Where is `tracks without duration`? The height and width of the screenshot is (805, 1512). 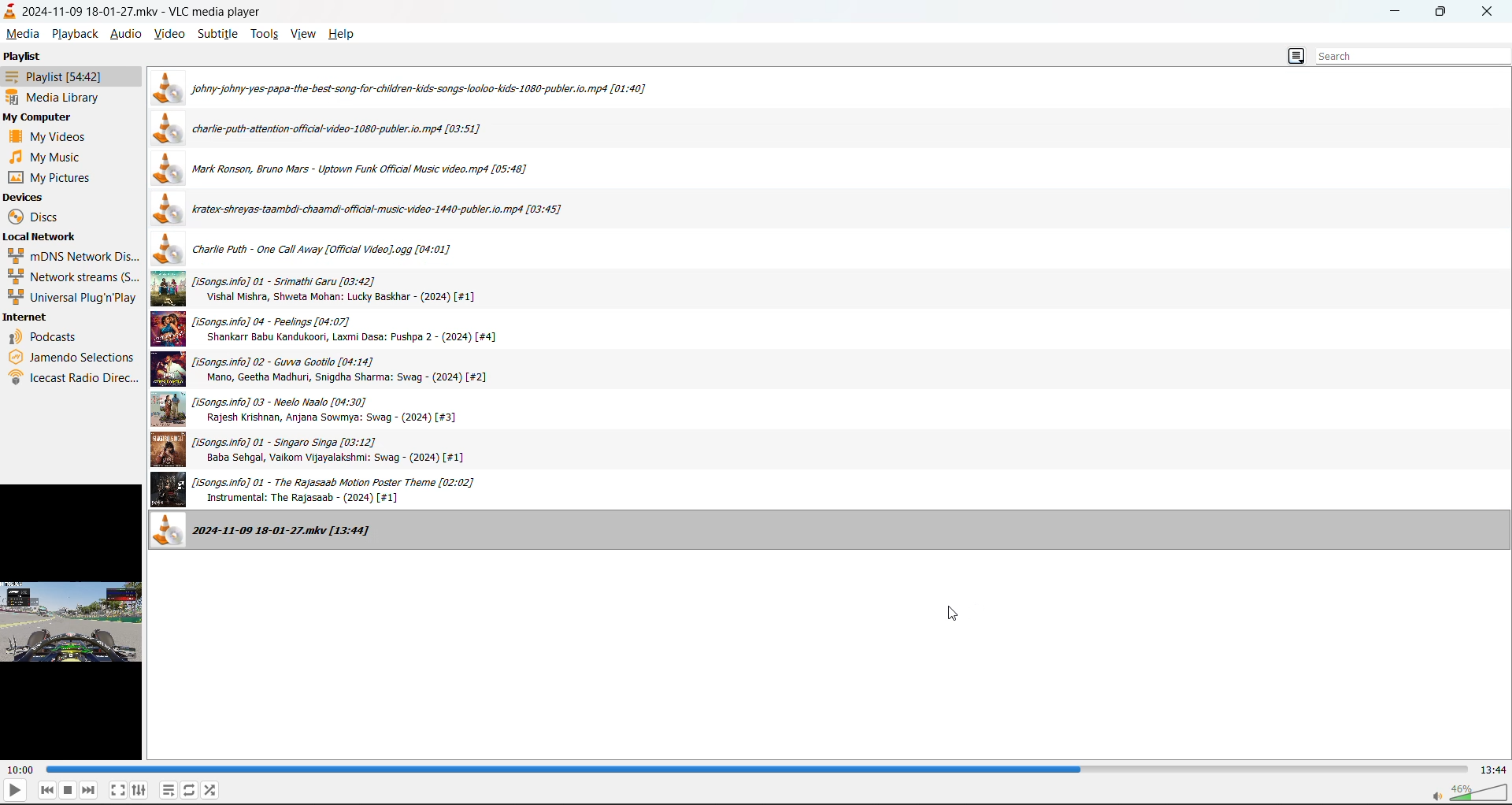 tracks without duration is located at coordinates (340, 490).